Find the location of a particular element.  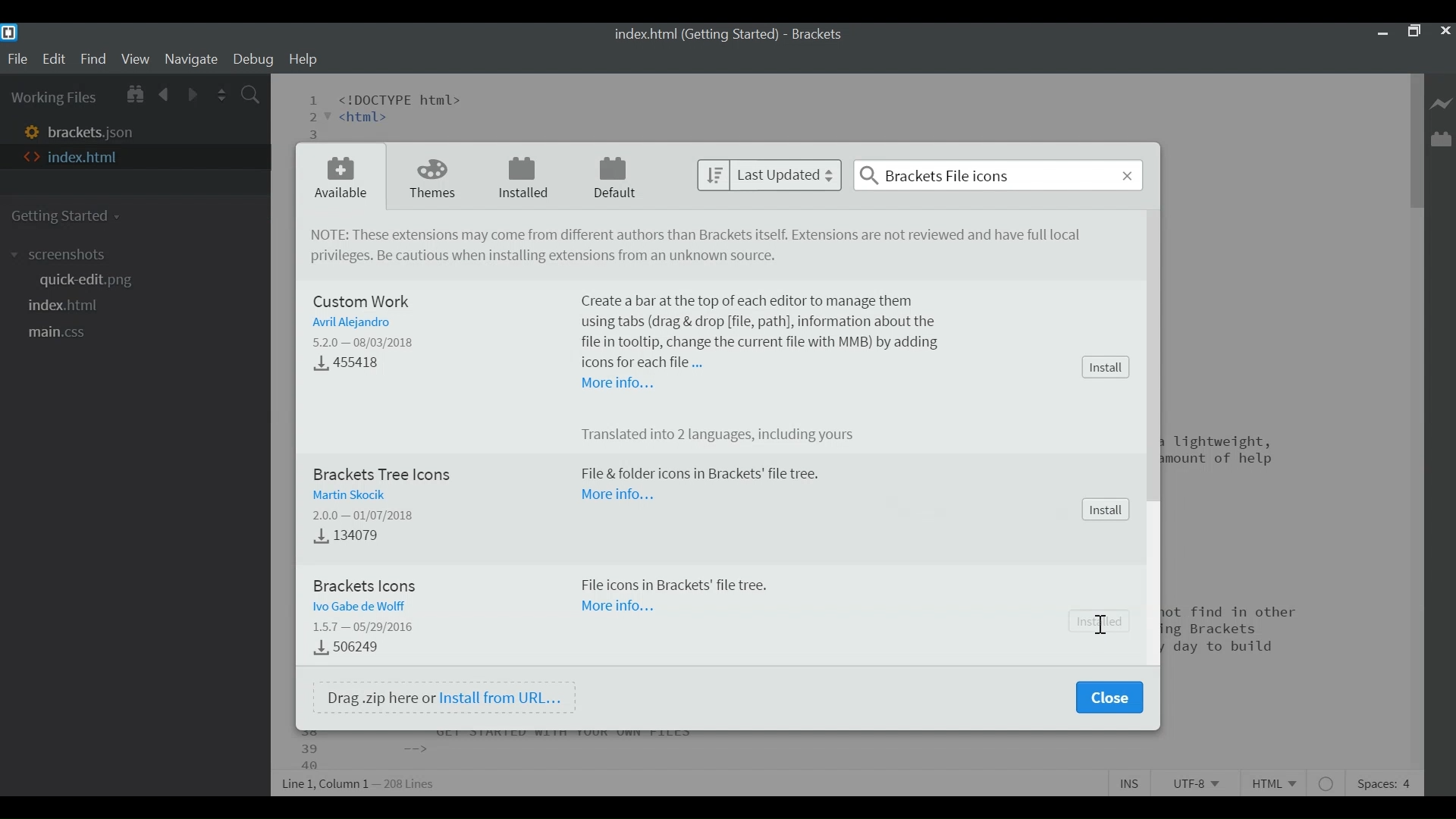

json File icon is located at coordinates (29, 130).